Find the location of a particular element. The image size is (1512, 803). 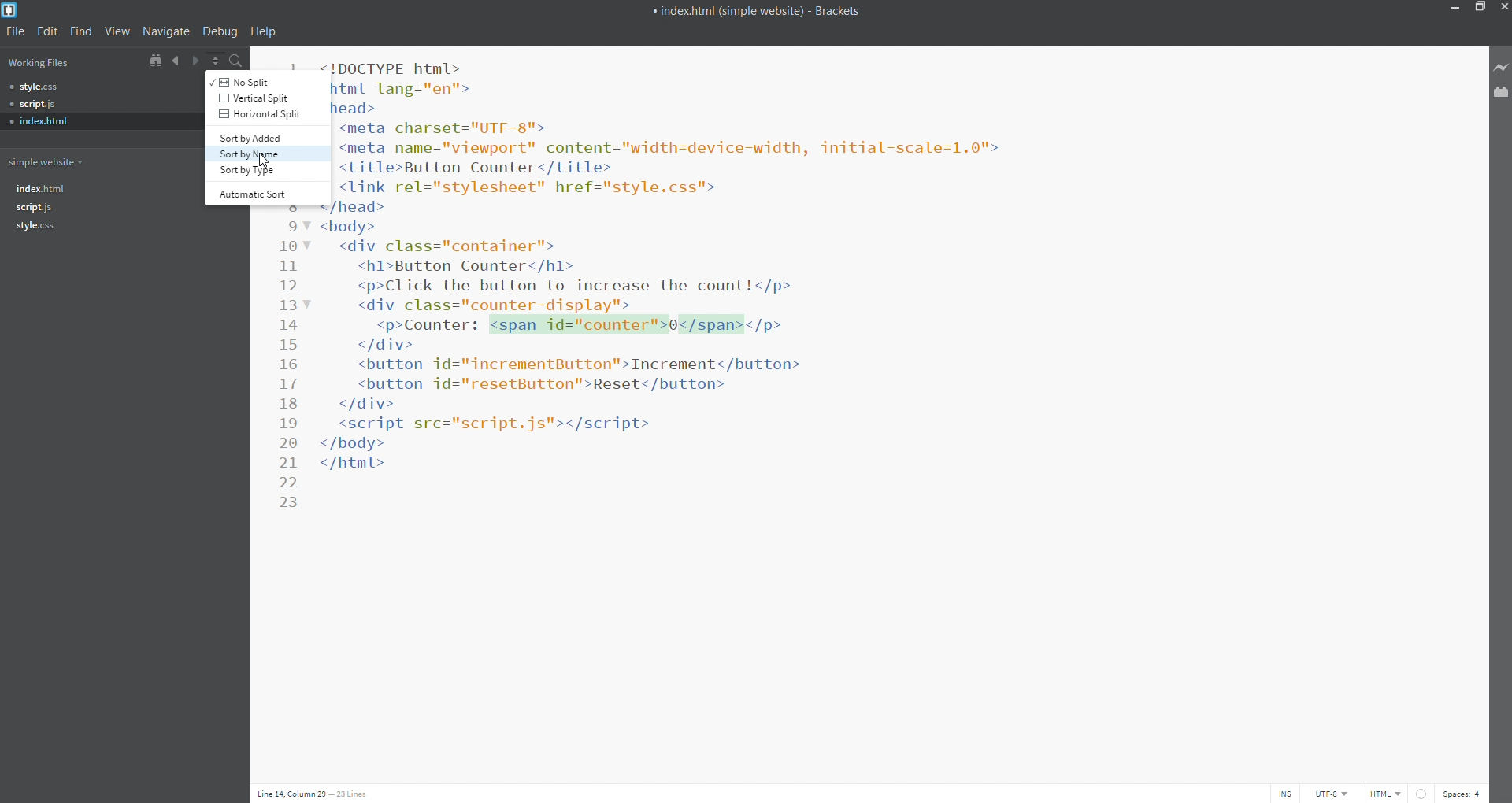

script.js is located at coordinates (82, 210).